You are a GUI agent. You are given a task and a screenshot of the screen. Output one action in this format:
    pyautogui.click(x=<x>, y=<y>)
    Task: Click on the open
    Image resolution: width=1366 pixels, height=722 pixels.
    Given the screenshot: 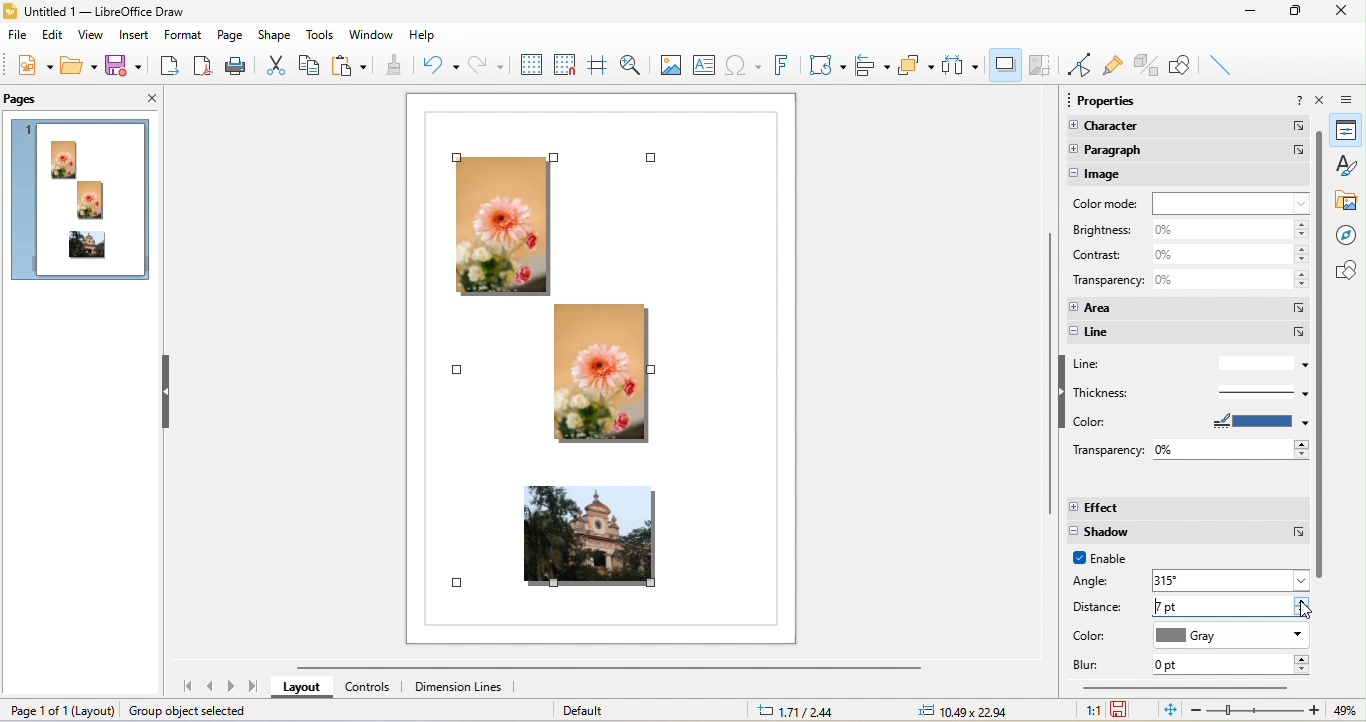 What is the action you would take?
    pyautogui.click(x=78, y=65)
    